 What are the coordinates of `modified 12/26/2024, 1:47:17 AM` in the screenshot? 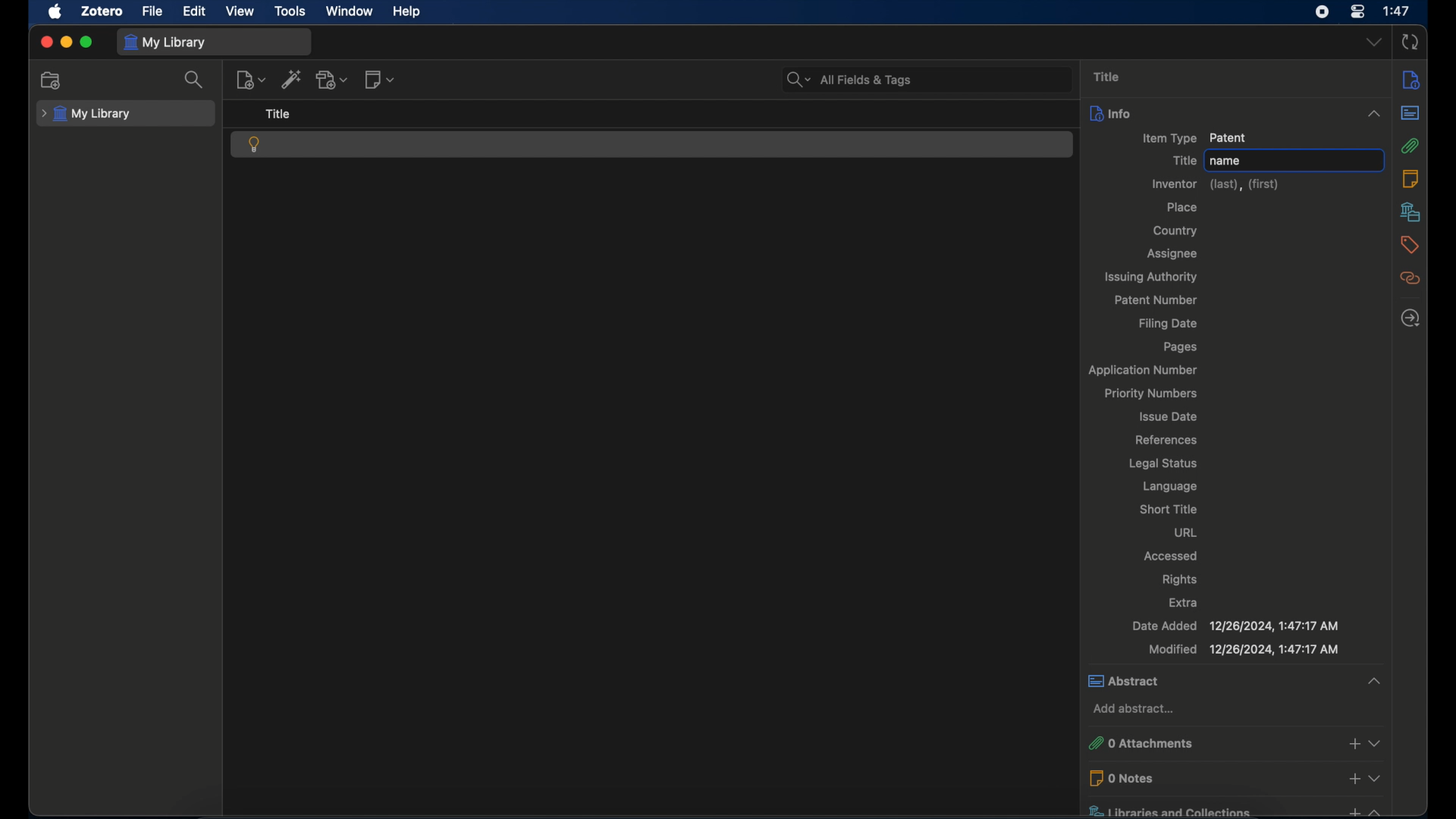 It's located at (1243, 649).